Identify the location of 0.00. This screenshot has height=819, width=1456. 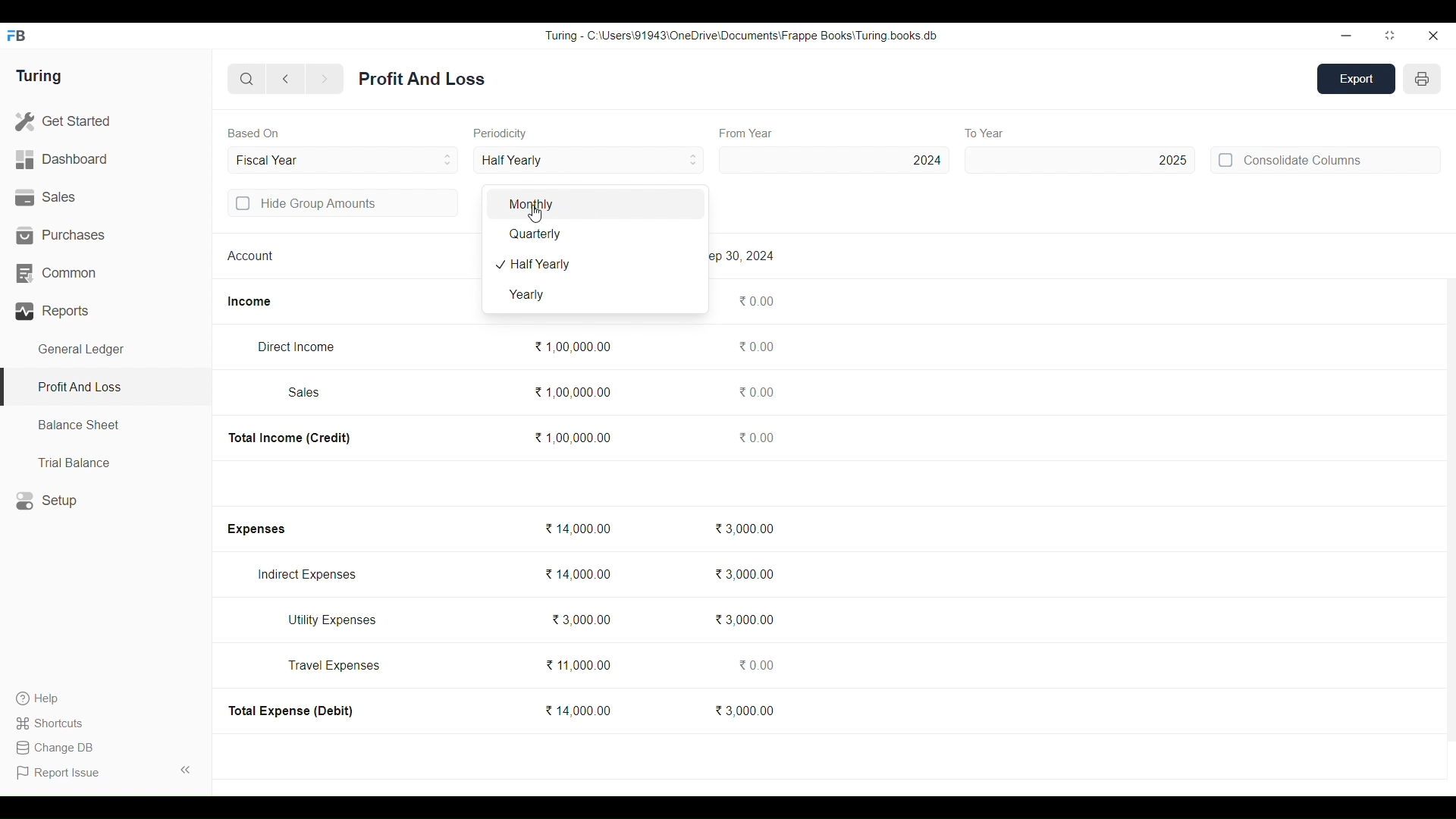
(755, 437).